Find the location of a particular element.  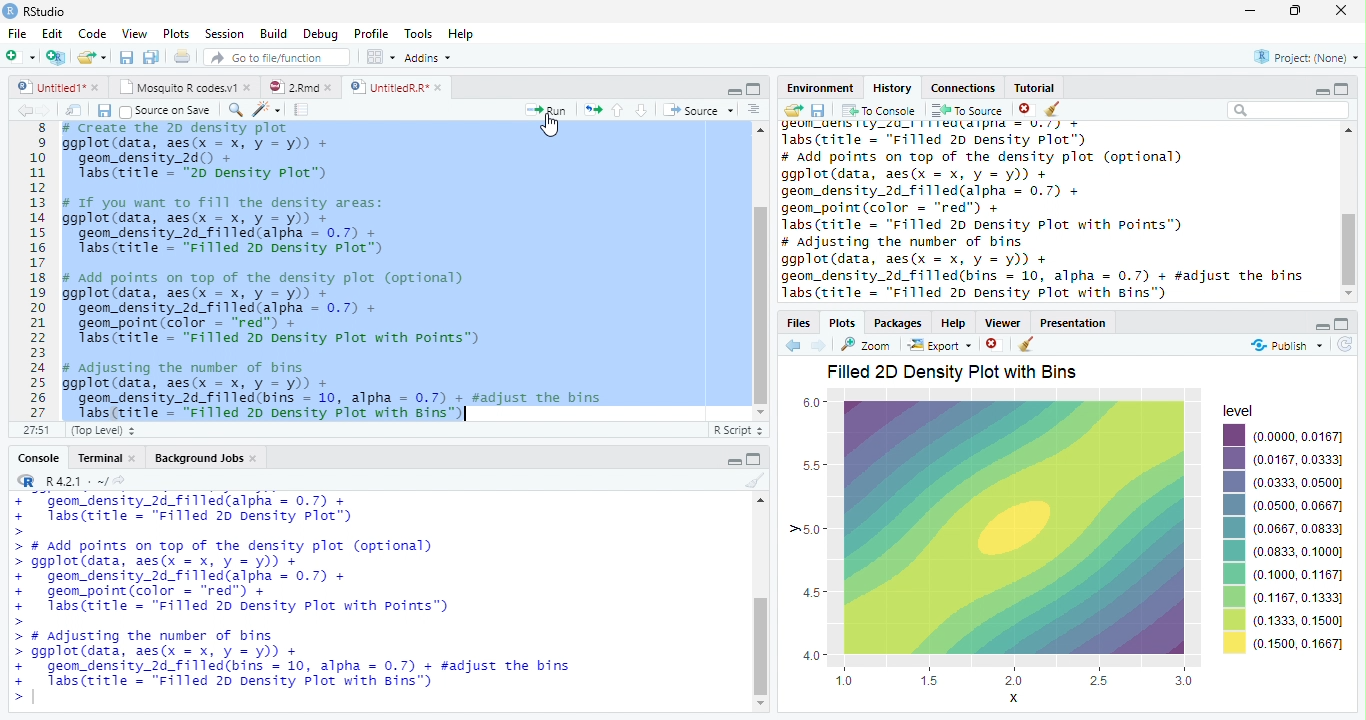

back is located at coordinates (790, 345).